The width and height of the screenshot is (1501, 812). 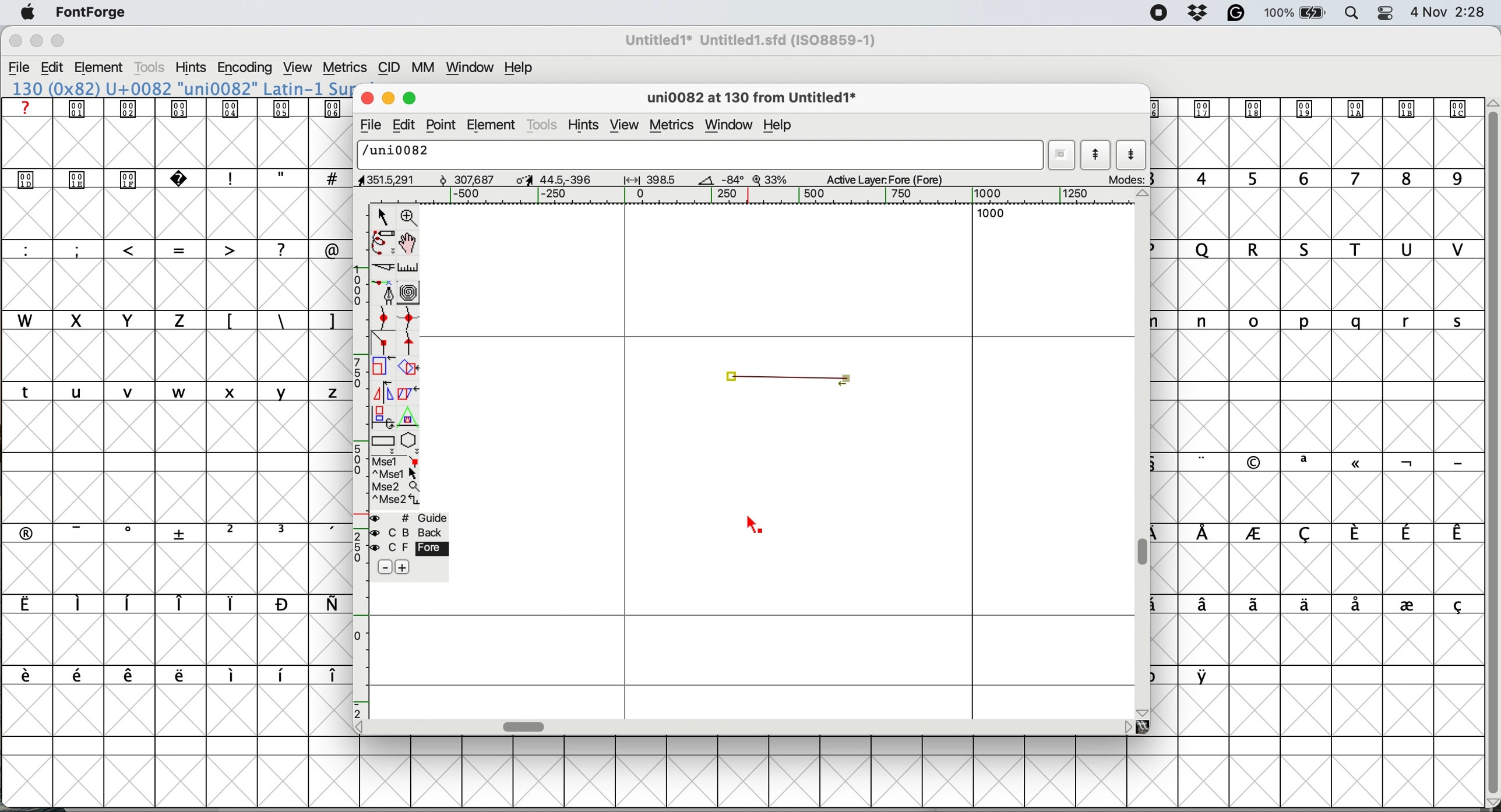 What do you see at coordinates (381, 393) in the screenshot?
I see `flip the selection` at bounding box center [381, 393].